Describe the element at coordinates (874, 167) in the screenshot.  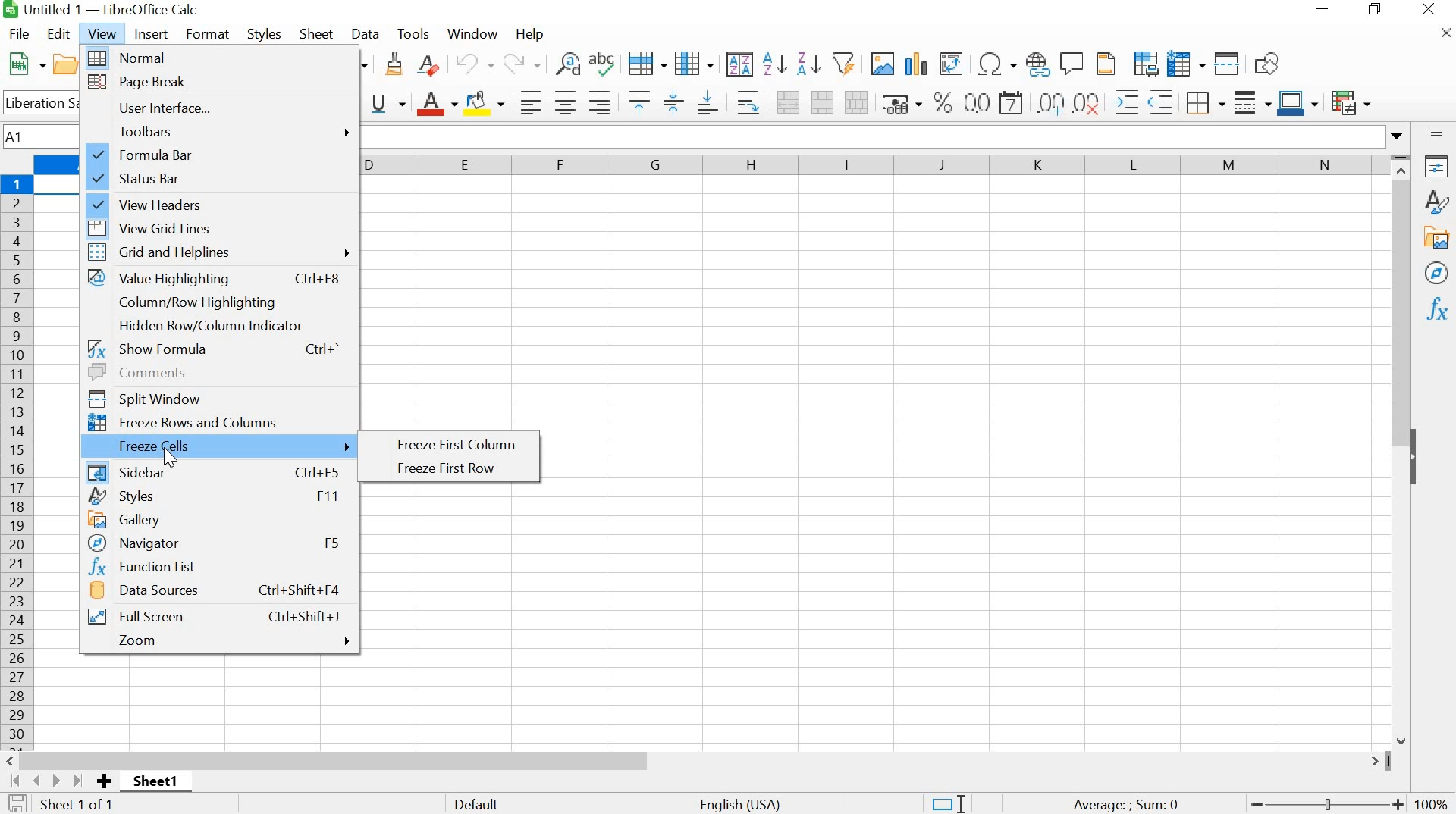
I see `COLUMNS` at that location.